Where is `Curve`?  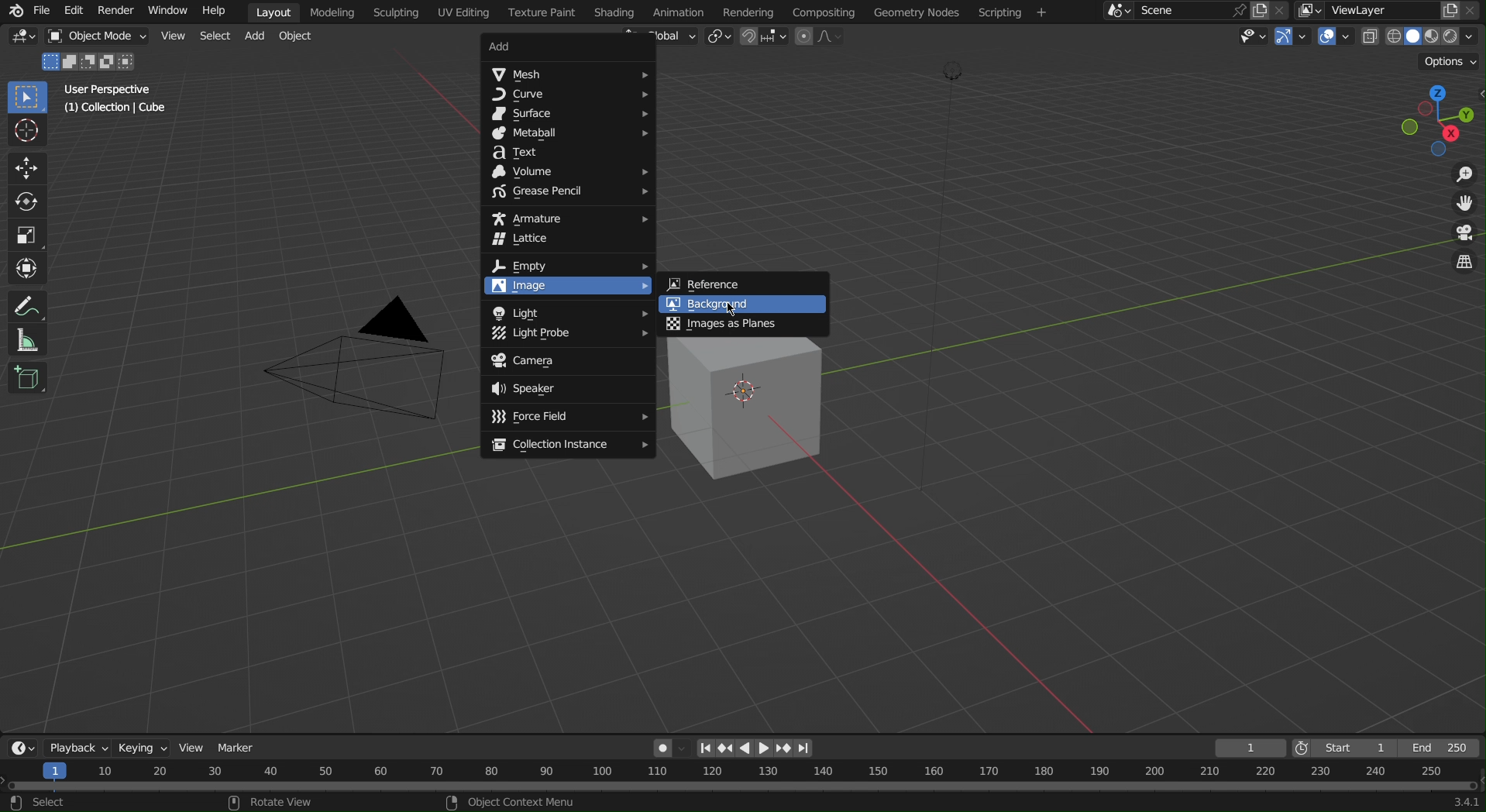 Curve is located at coordinates (573, 95).